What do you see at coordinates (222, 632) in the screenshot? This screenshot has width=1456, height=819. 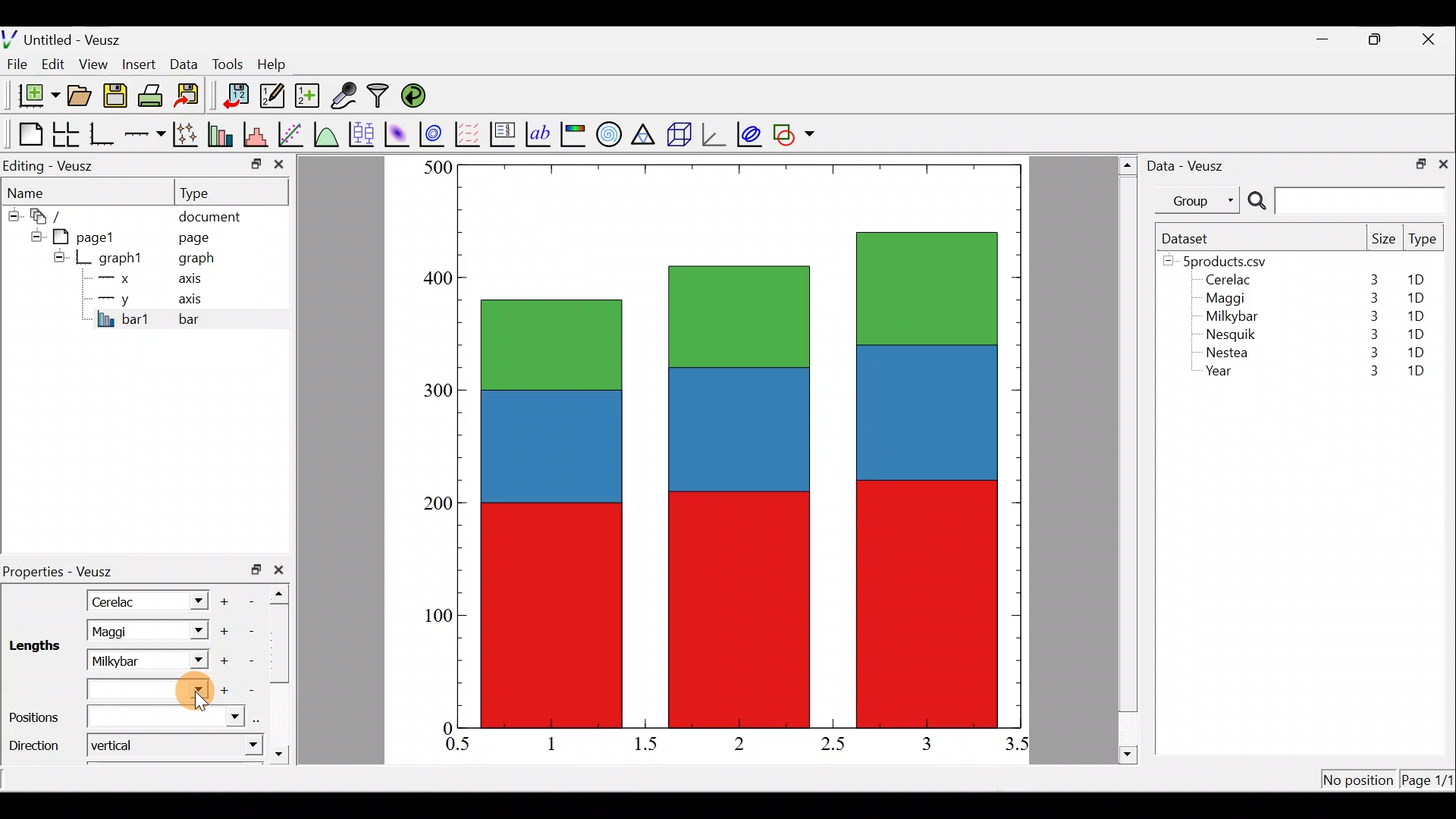 I see `Add another item` at bounding box center [222, 632].